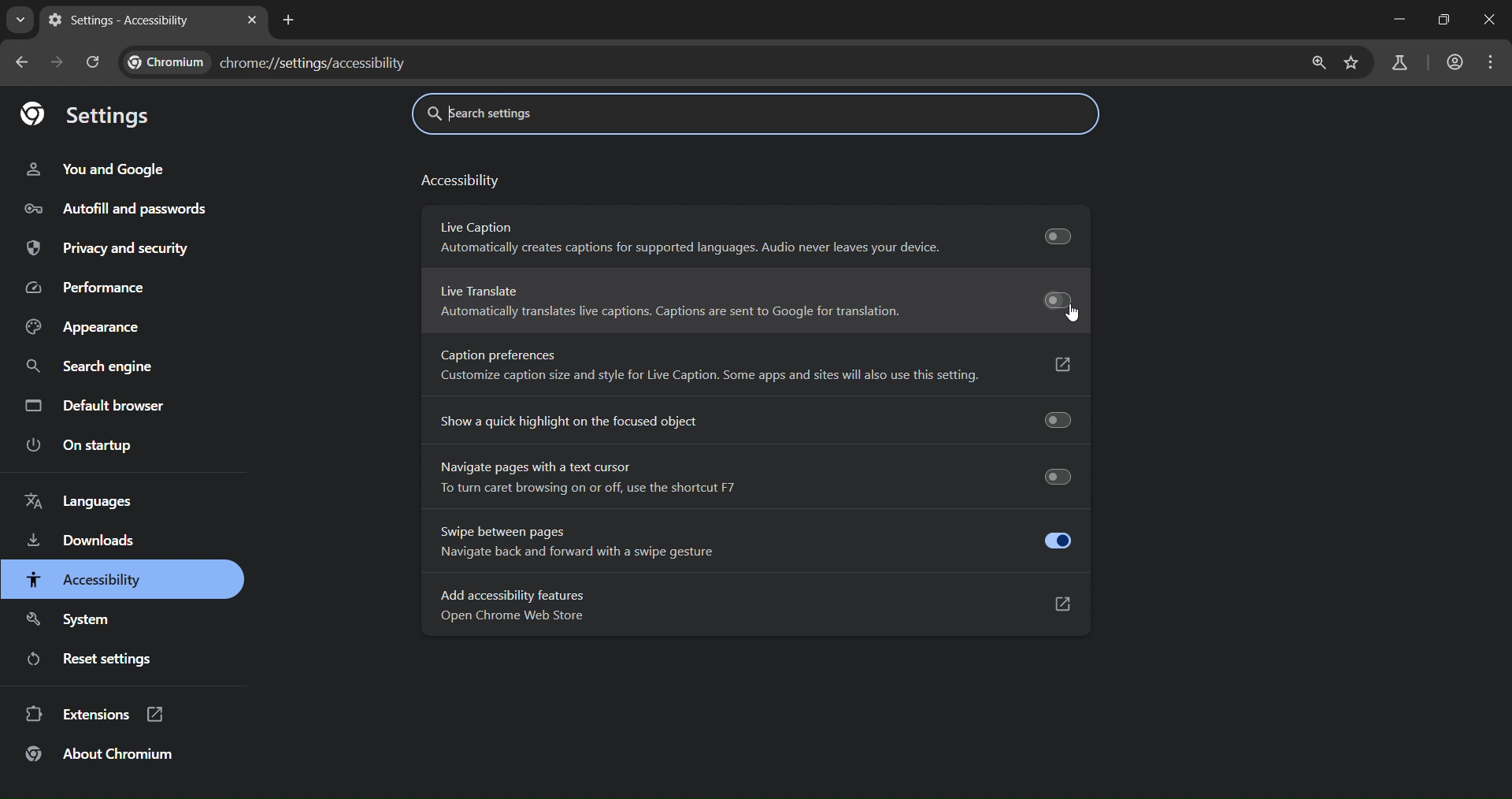 The width and height of the screenshot is (1512, 799). Describe the element at coordinates (1051, 476) in the screenshot. I see `toogle` at that location.